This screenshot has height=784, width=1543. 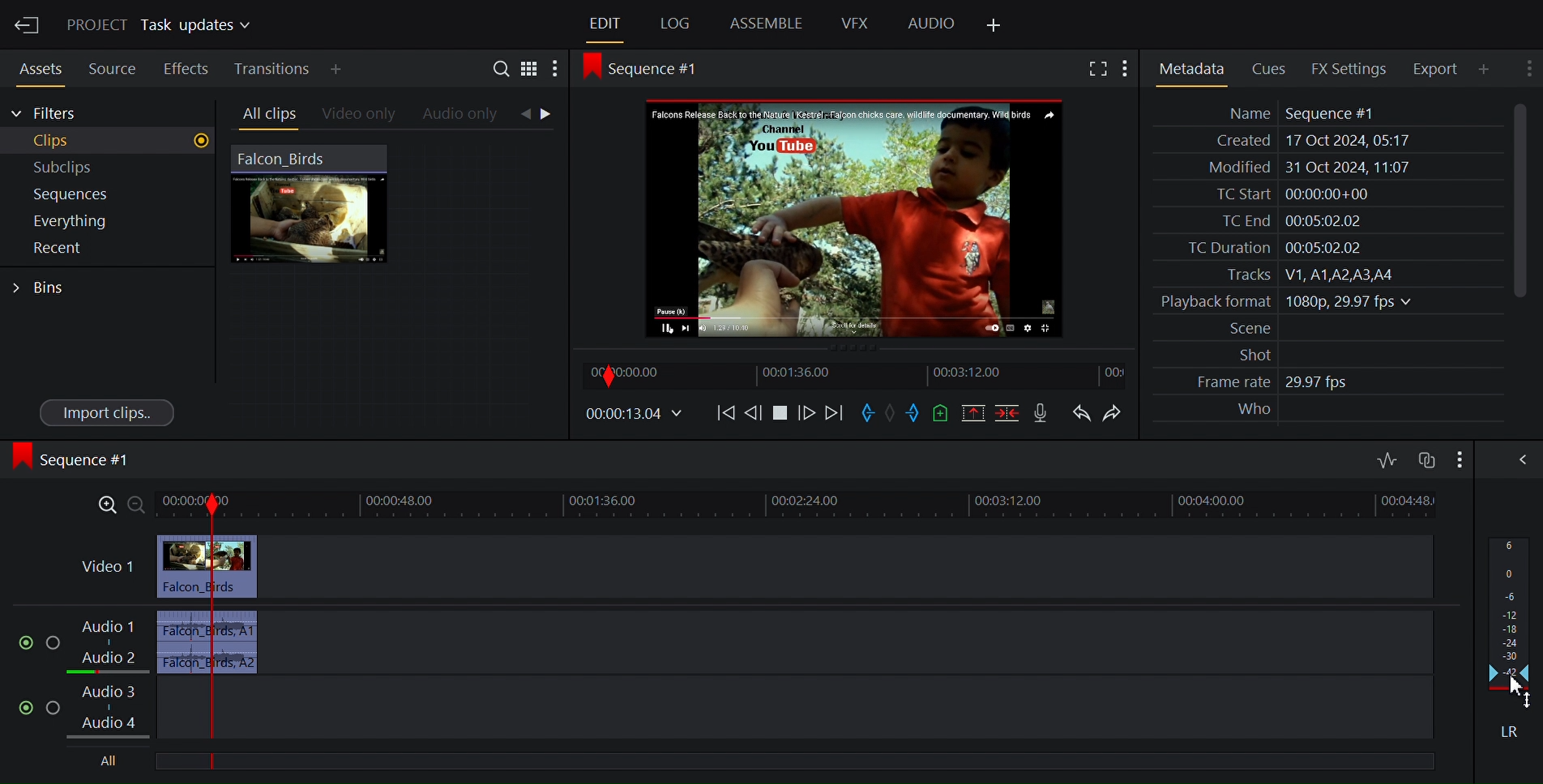 I want to click on Redo, so click(x=1113, y=411).